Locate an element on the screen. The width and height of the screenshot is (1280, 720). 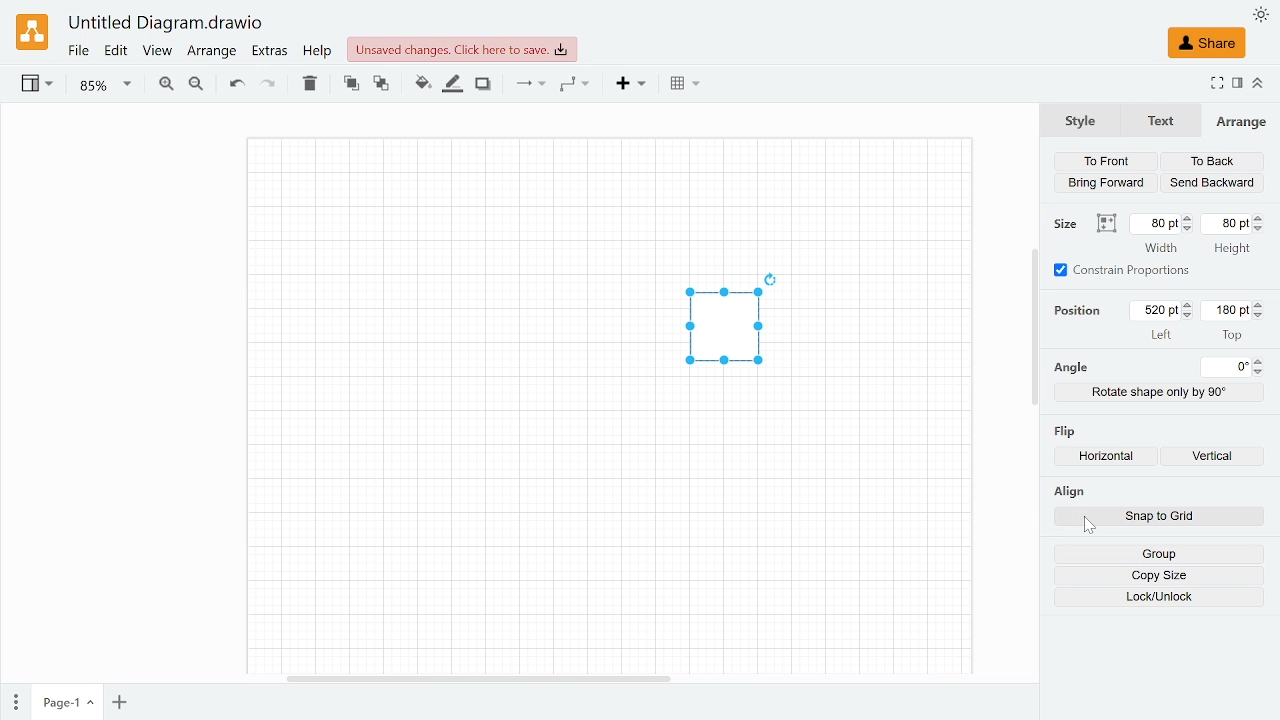
Rectangle shape selected is located at coordinates (722, 330).